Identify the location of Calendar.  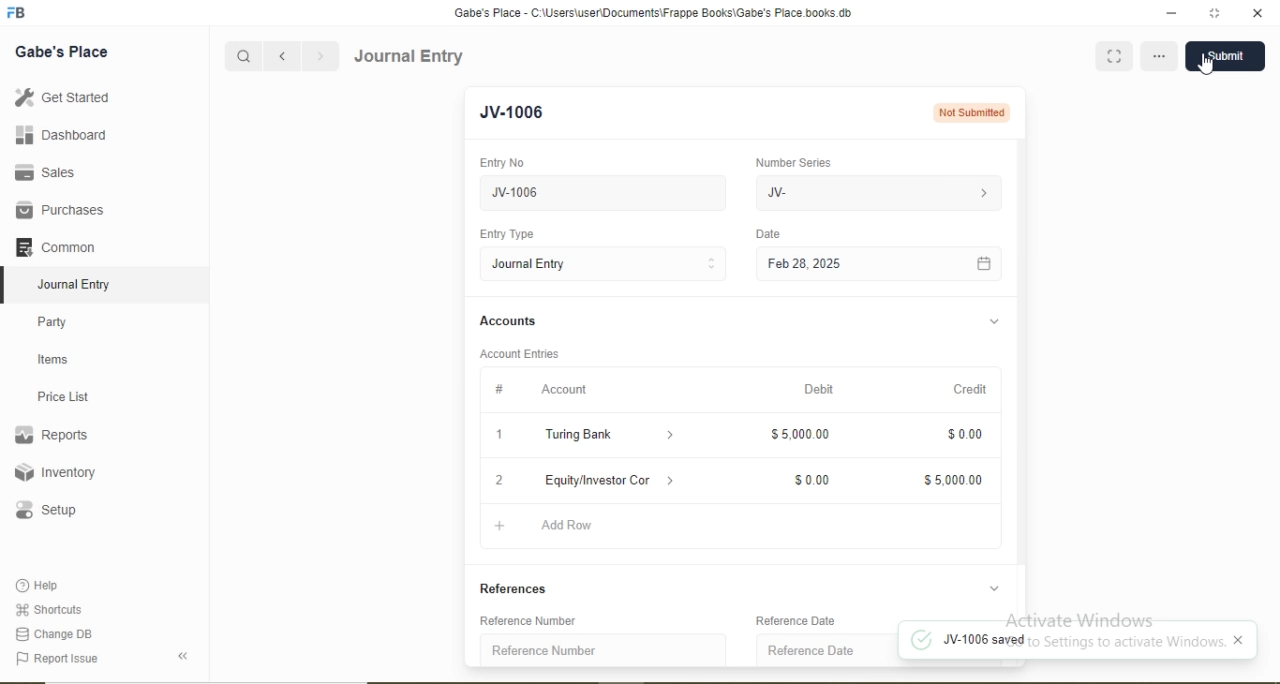
(984, 265).